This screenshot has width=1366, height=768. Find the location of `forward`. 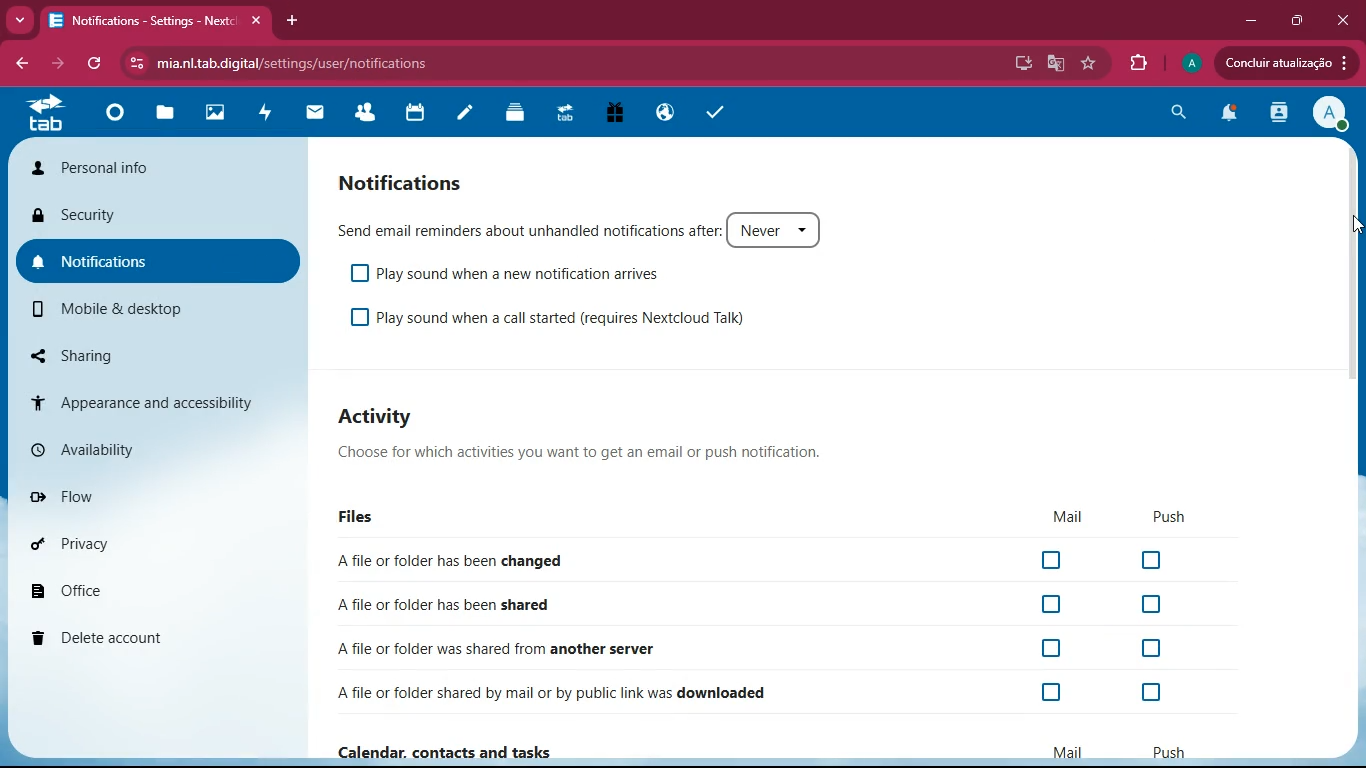

forward is located at coordinates (61, 64).